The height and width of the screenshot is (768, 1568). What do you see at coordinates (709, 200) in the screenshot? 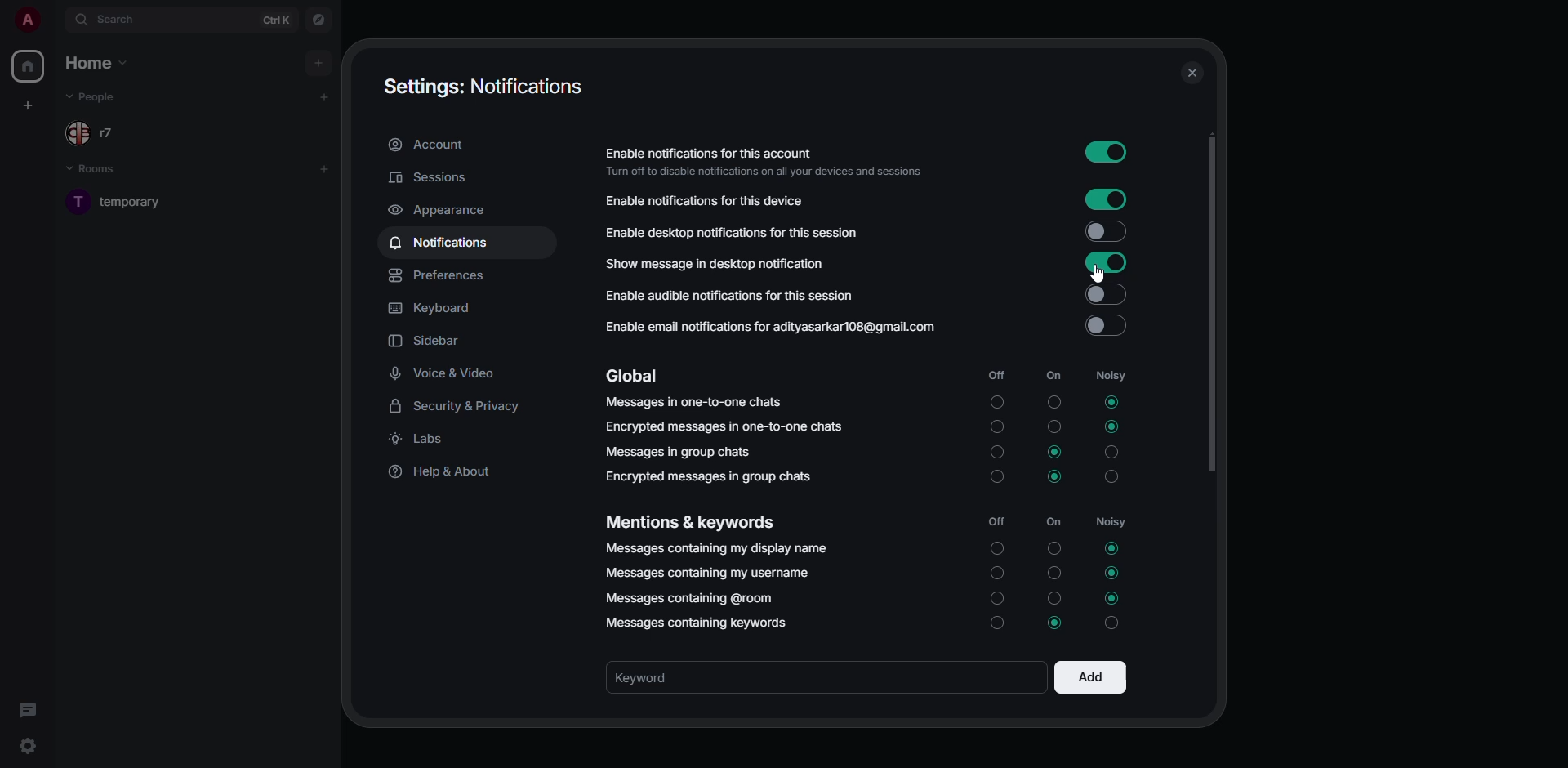
I see `enable notifications for this device` at bounding box center [709, 200].